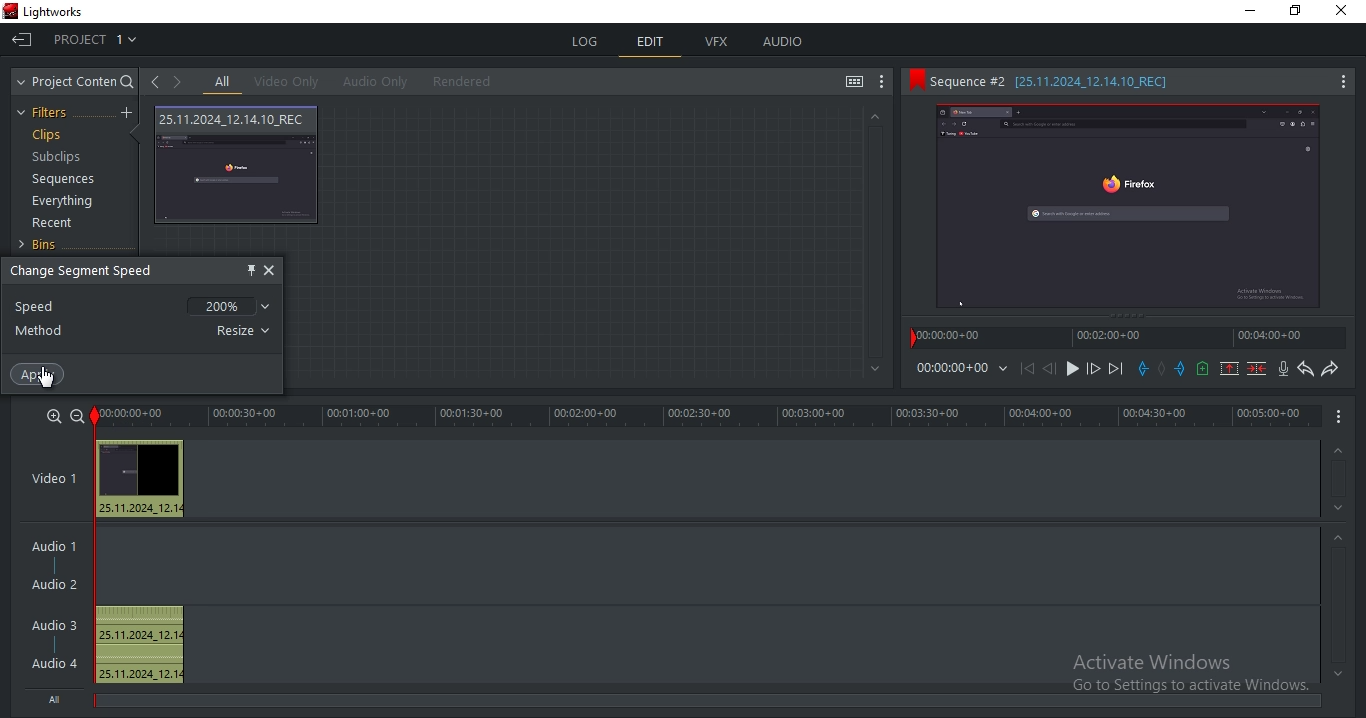 The image size is (1366, 718). Describe the element at coordinates (270, 270) in the screenshot. I see `close` at that location.